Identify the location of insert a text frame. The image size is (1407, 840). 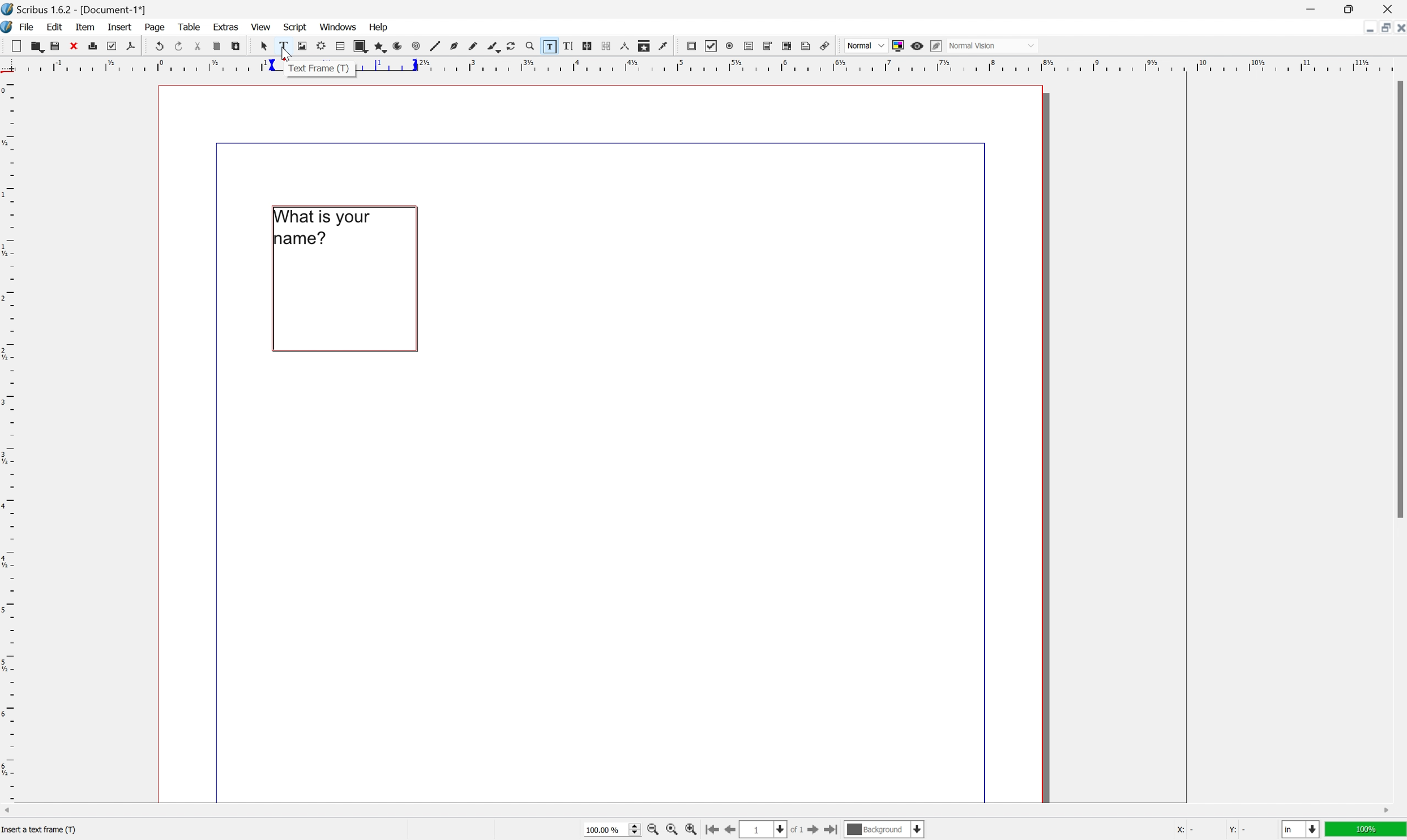
(44, 830).